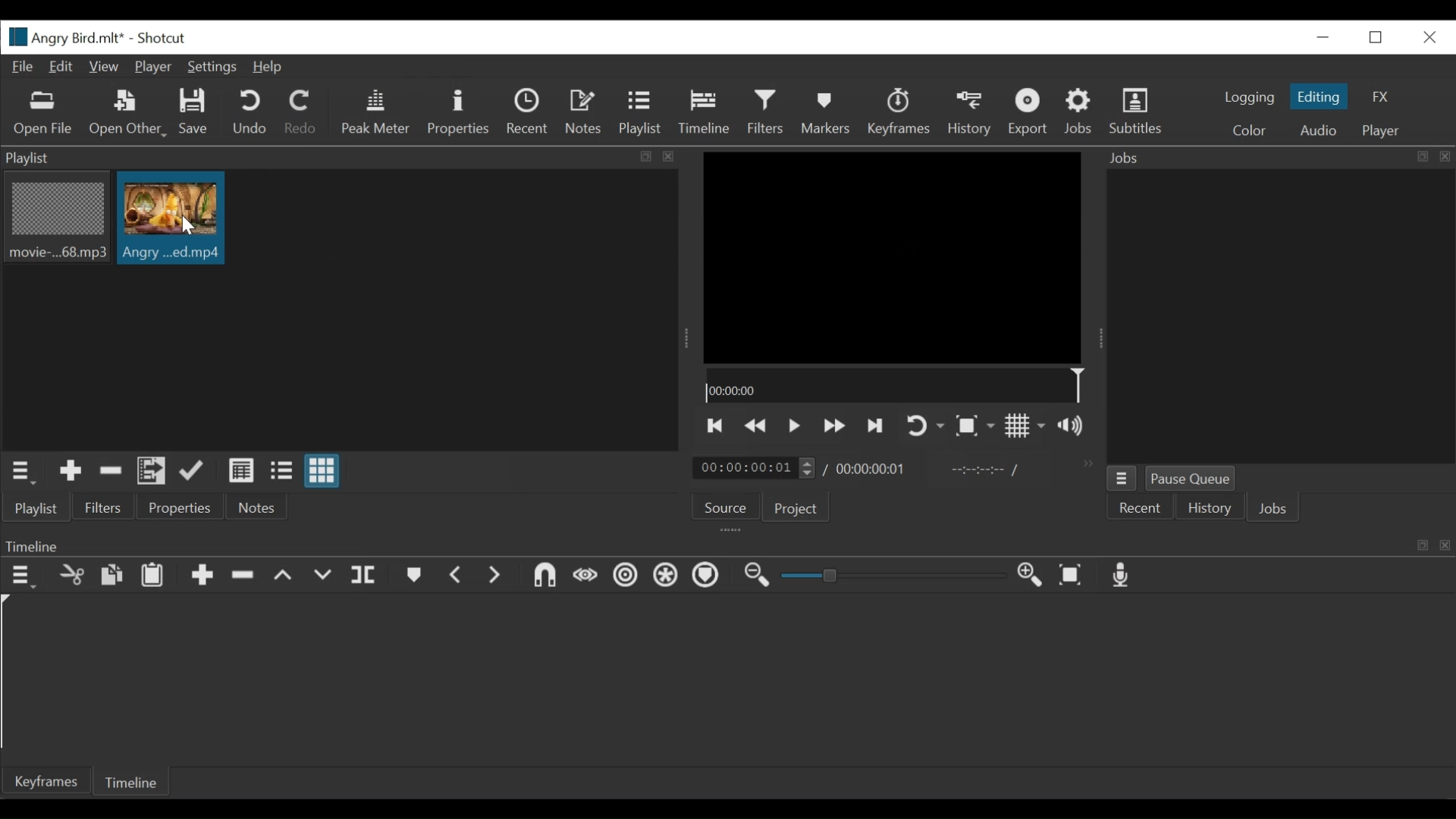  Describe the element at coordinates (923, 427) in the screenshot. I see `Toggle player looping` at that location.